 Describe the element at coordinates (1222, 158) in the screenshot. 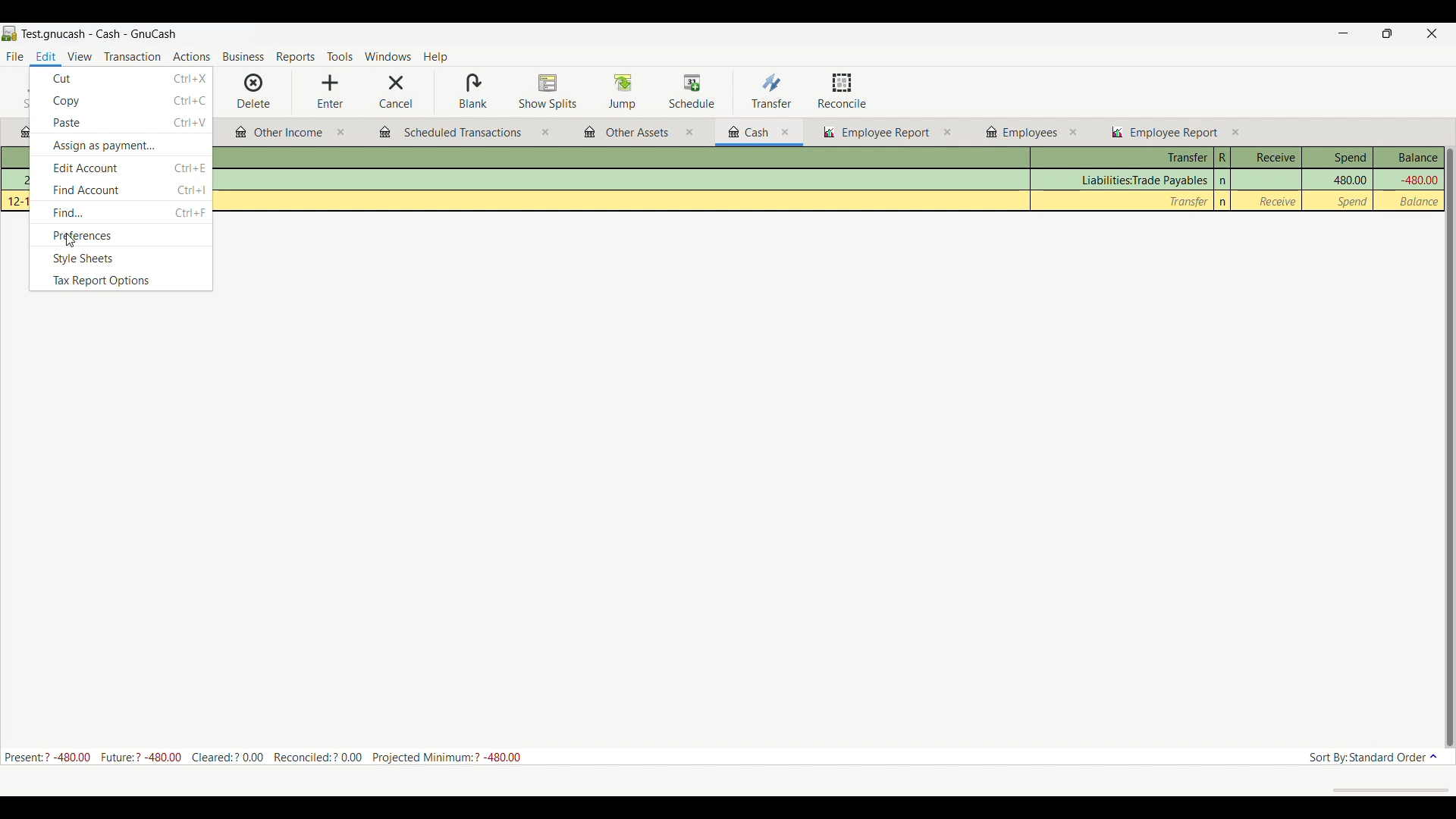

I see `R column` at that location.